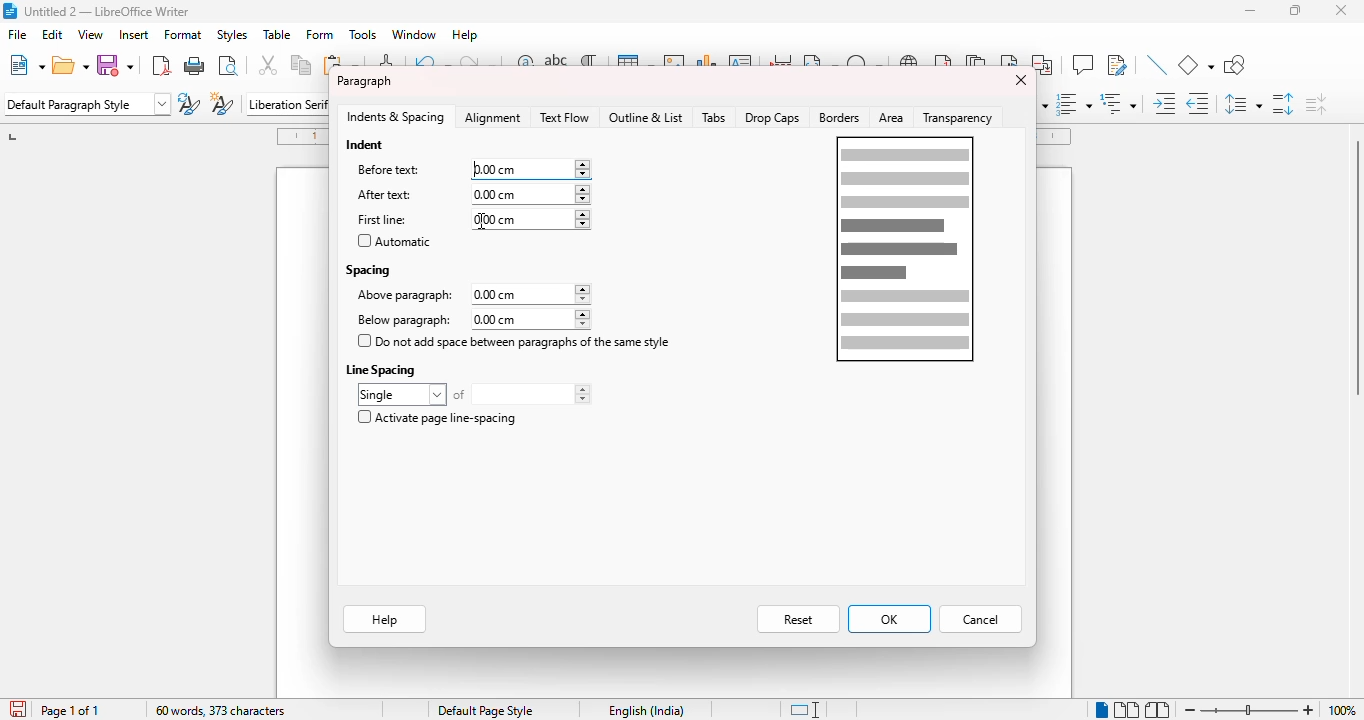 The width and height of the screenshot is (1364, 720). I want to click on window, so click(414, 34).